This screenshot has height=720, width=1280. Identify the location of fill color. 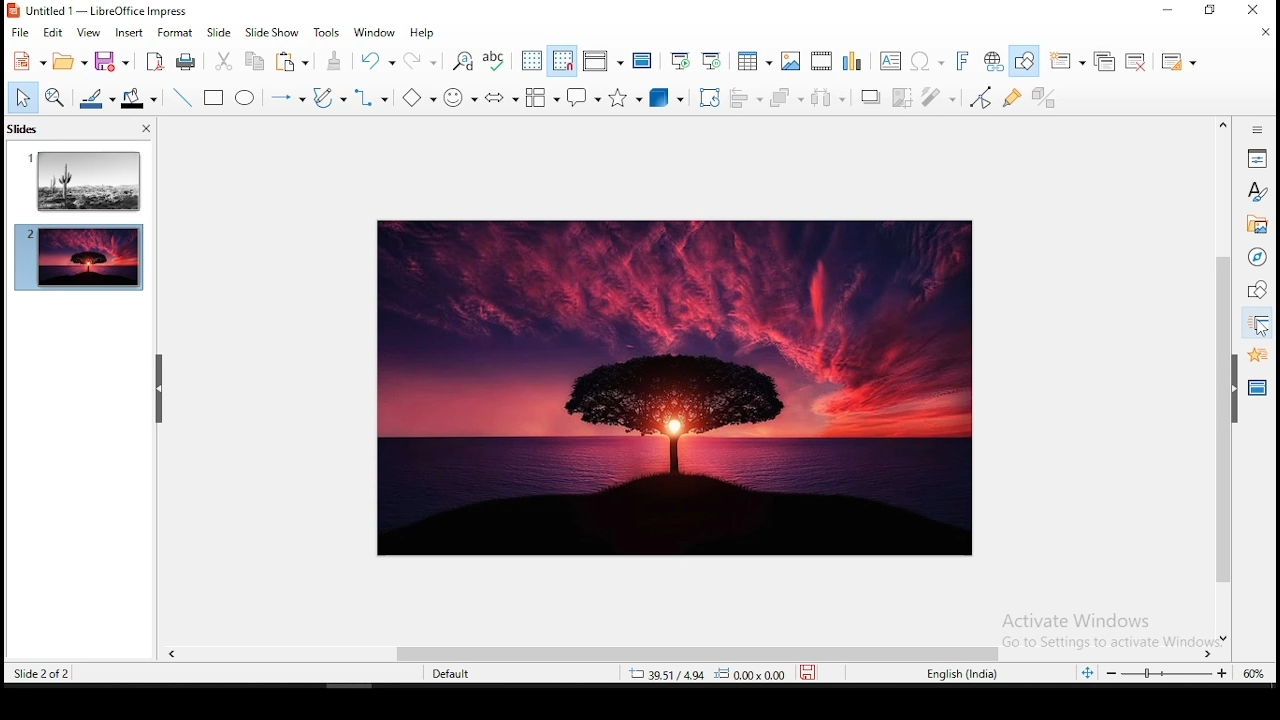
(141, 97).